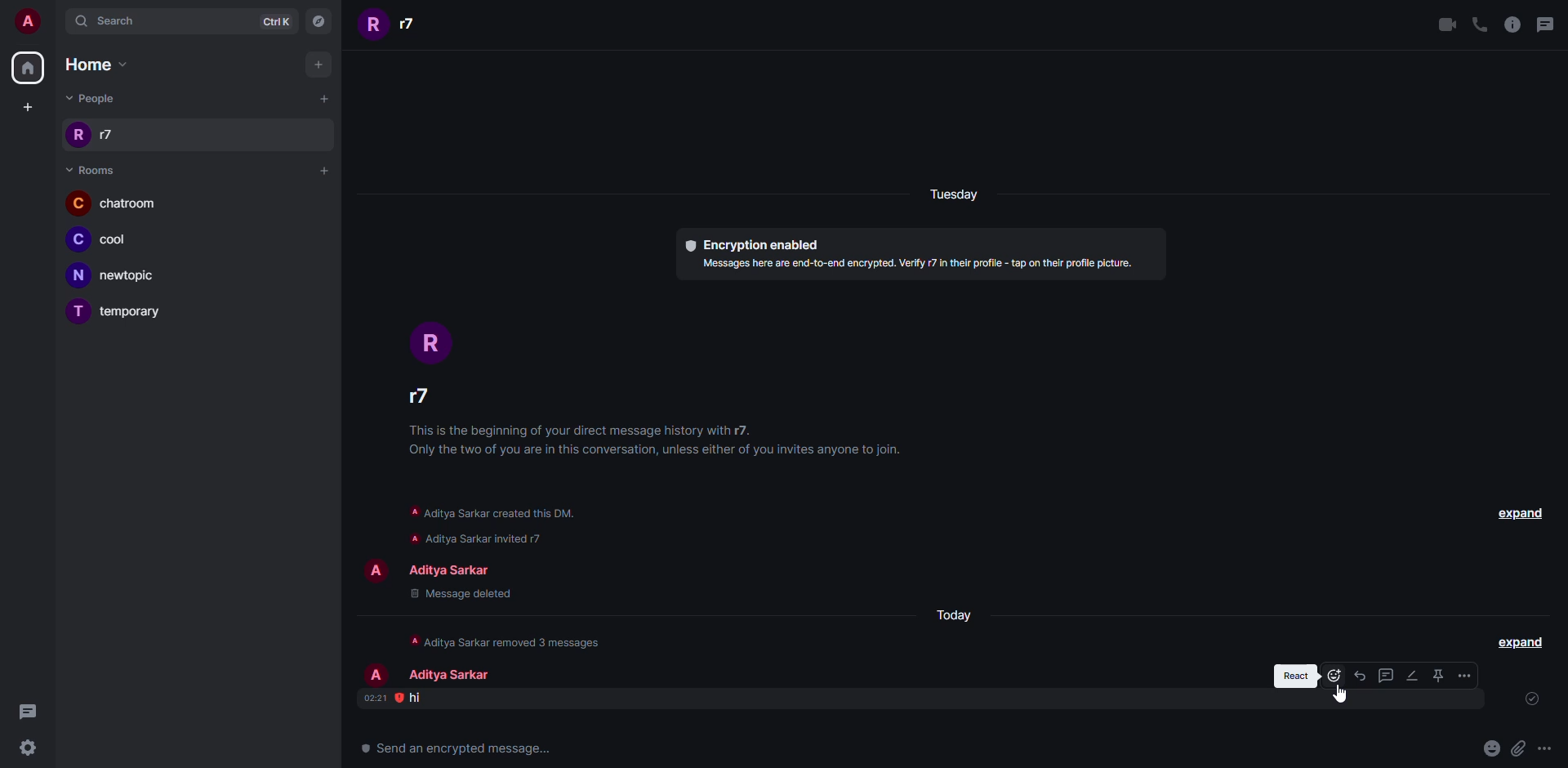 The height and width of the screenshot is (768, 1568). Describe the element at coordinates (1479, 24) in the screenshot. I see `voice call` at that location.